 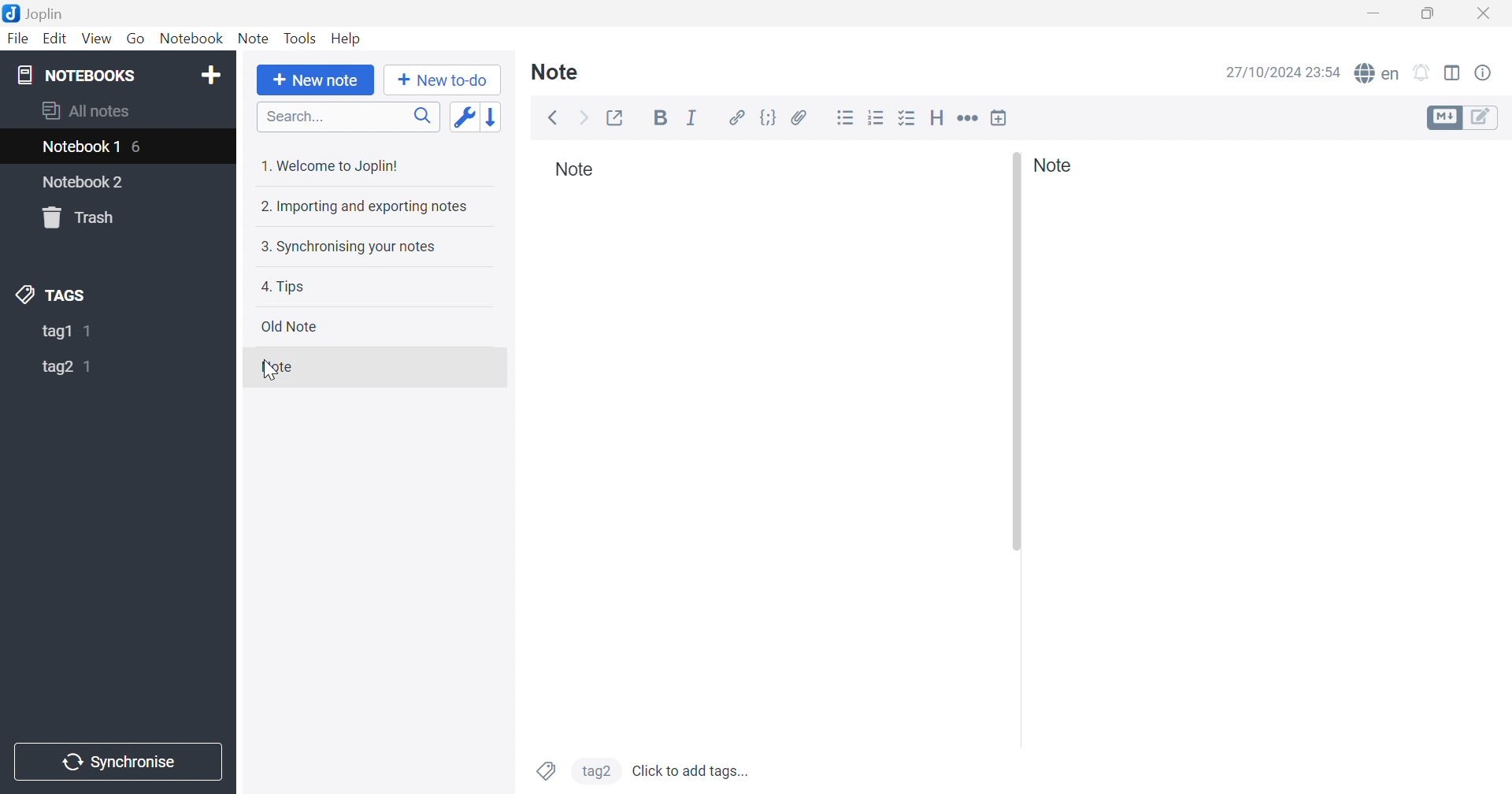 What do you see at coordinates (54, 295) in the screenshot?
I see `TAGS` at bounding box center [54, 295].